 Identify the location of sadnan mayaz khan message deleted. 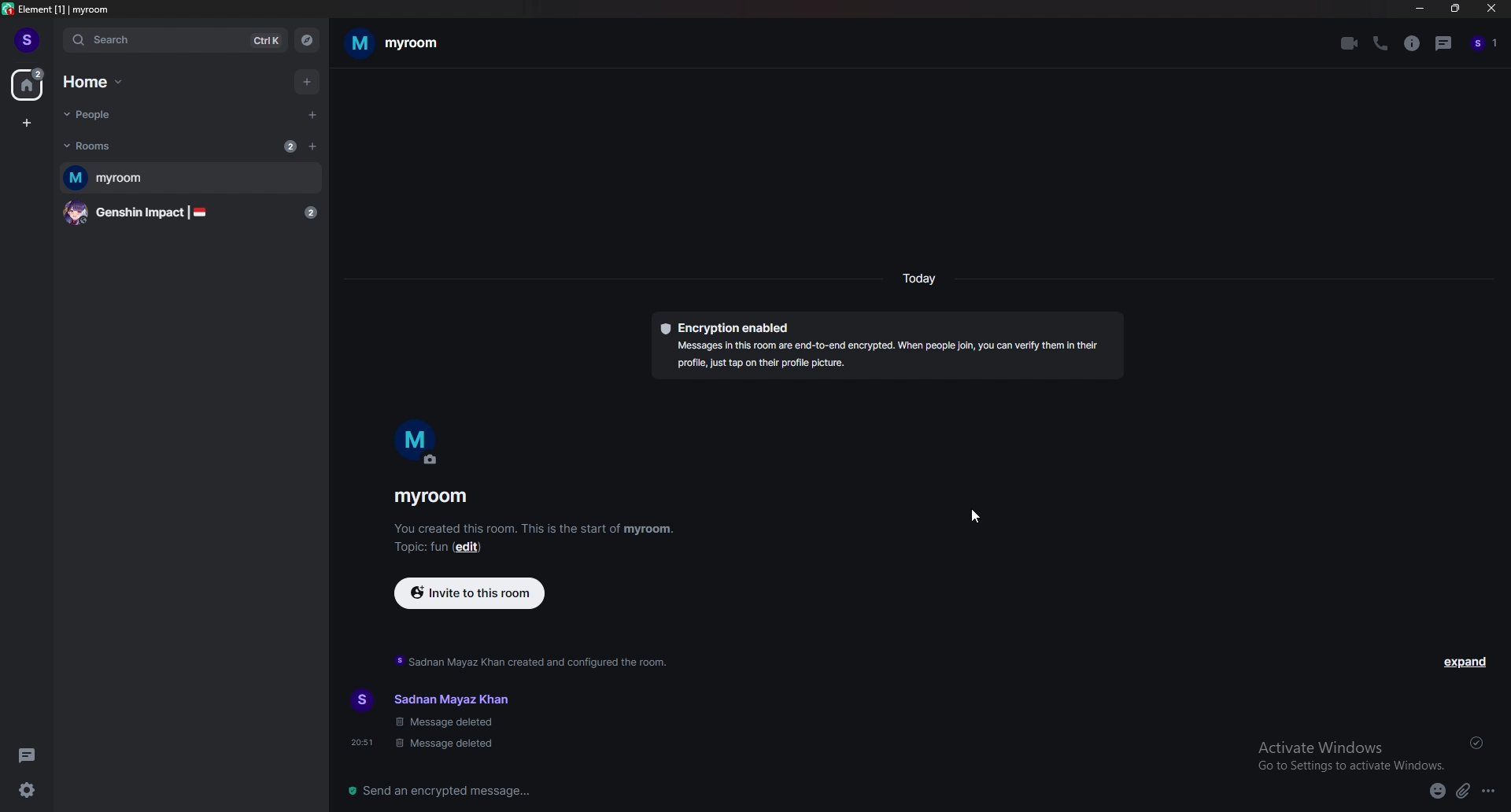
(449, 705).